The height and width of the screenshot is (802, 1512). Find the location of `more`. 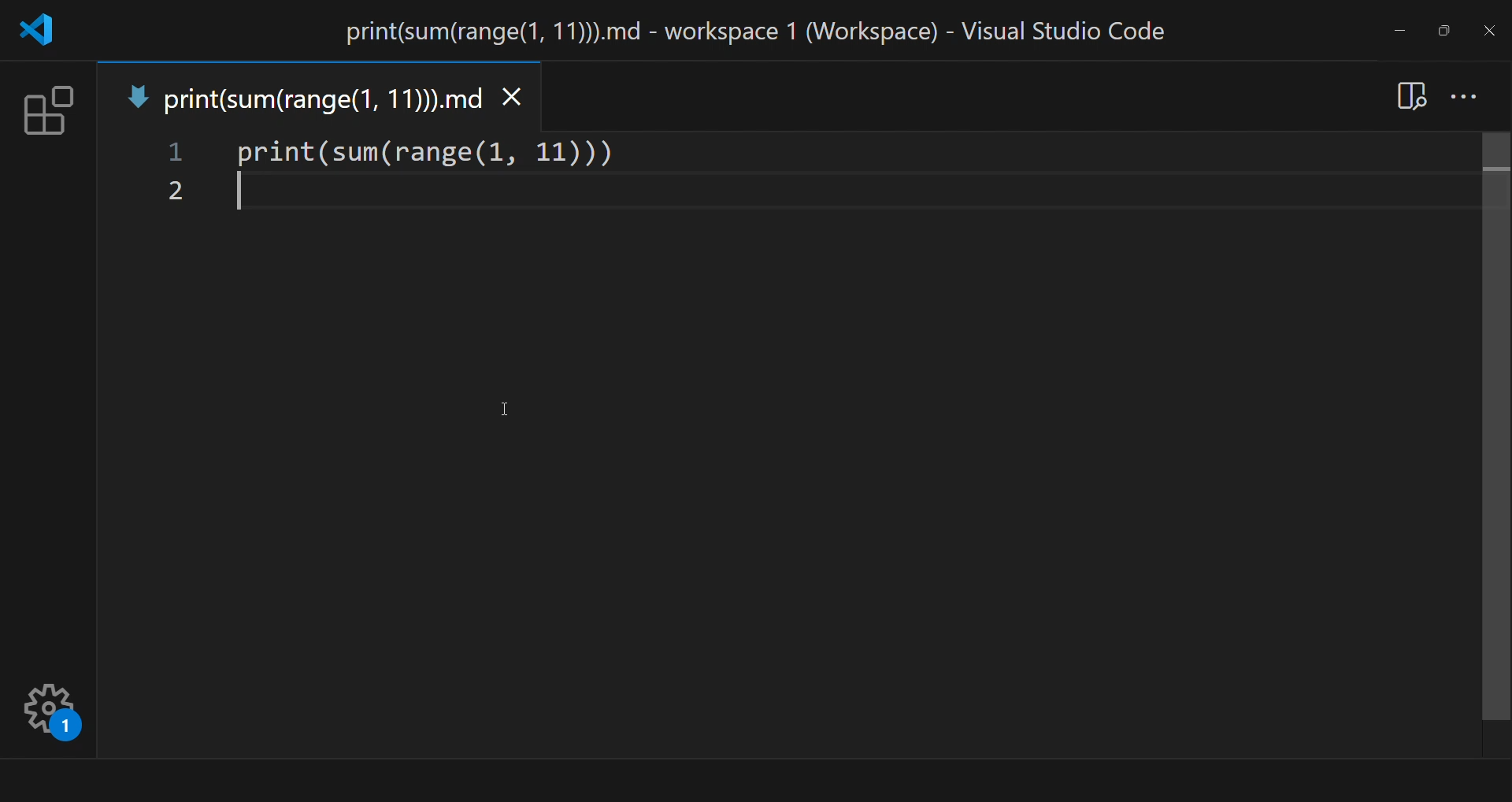

more is located at coordinates (1462, 100).